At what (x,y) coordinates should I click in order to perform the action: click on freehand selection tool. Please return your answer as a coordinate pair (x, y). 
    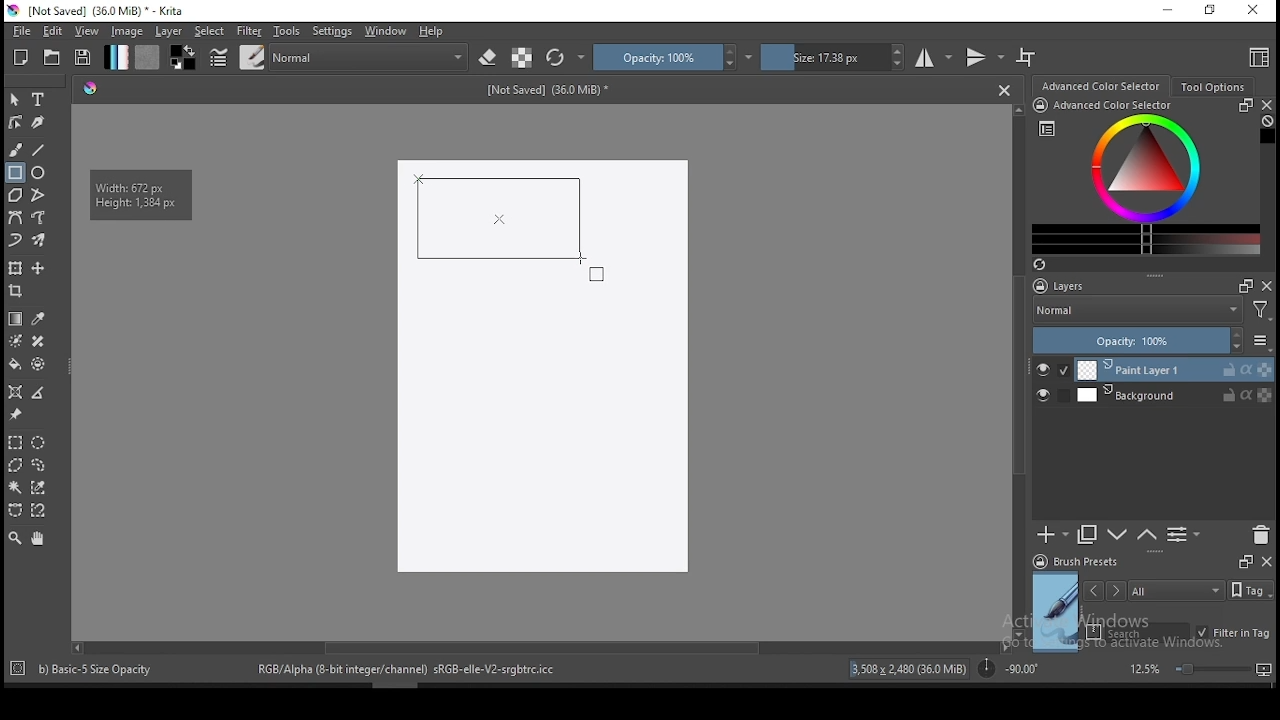
    Looking at the image, I should click on (39, 465).